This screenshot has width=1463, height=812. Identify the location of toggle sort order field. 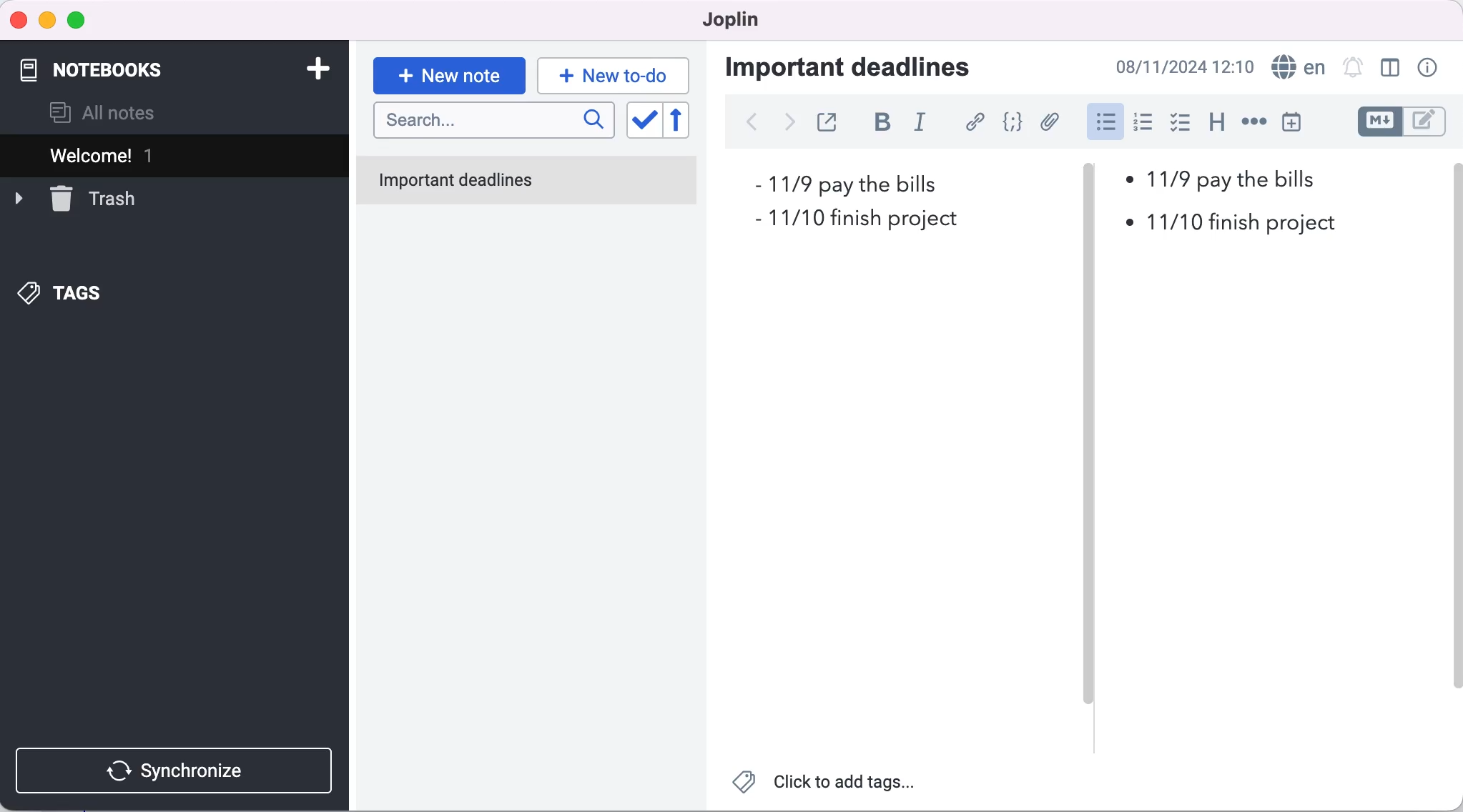
(643, 123).